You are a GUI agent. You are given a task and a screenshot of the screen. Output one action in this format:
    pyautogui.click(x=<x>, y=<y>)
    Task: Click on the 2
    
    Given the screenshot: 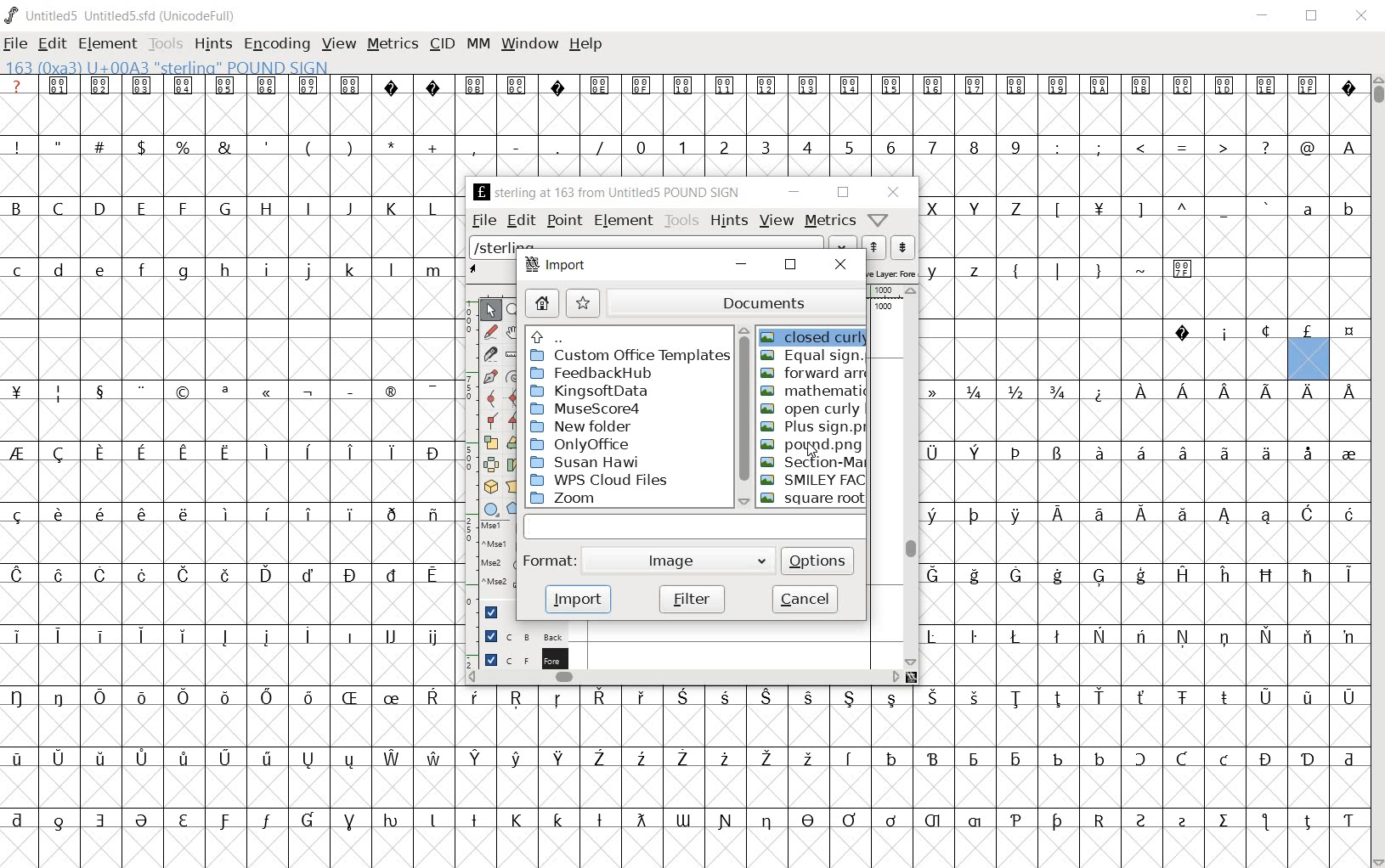 What is the action you would take?
    pyautogui.click(x=725, y=146)
    